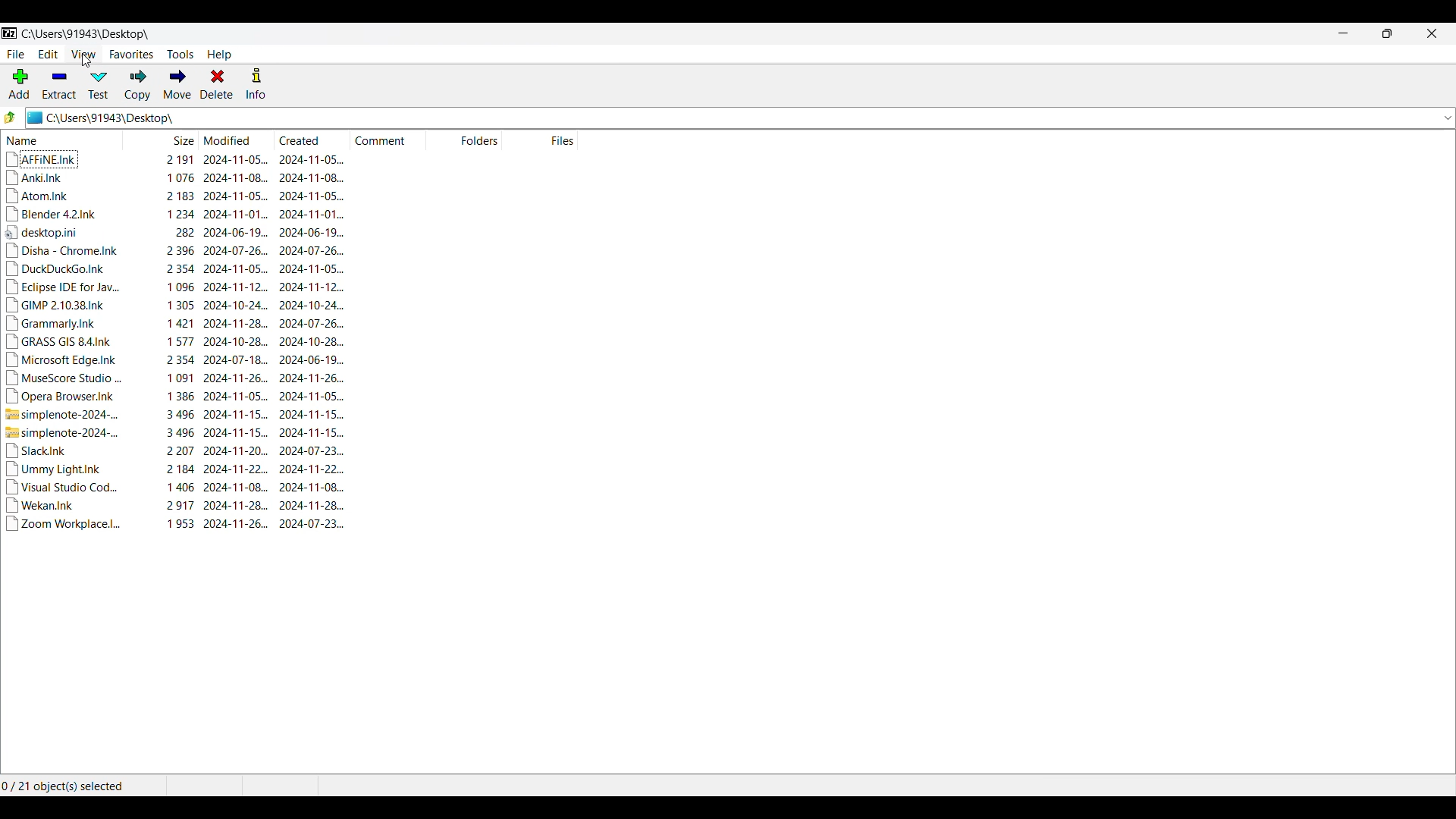 The image size is (1456, 819). What do you see at coordinates (178, 415) in the screenshot?
I see `simplenote-2024-... 3496 2024-11-15... 2024-11-15...` at bounding box center [178, 415].